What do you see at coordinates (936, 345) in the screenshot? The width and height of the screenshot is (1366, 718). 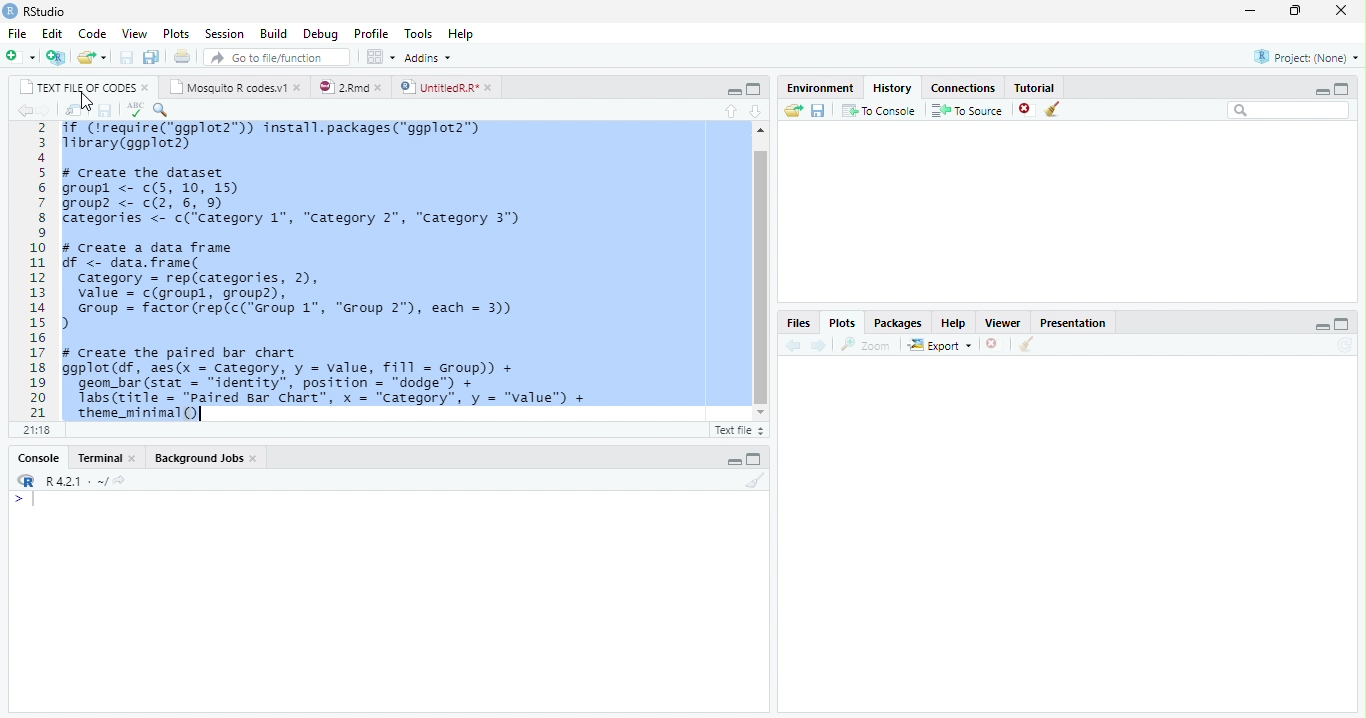 I see `export` at bounding box center [936, 345].